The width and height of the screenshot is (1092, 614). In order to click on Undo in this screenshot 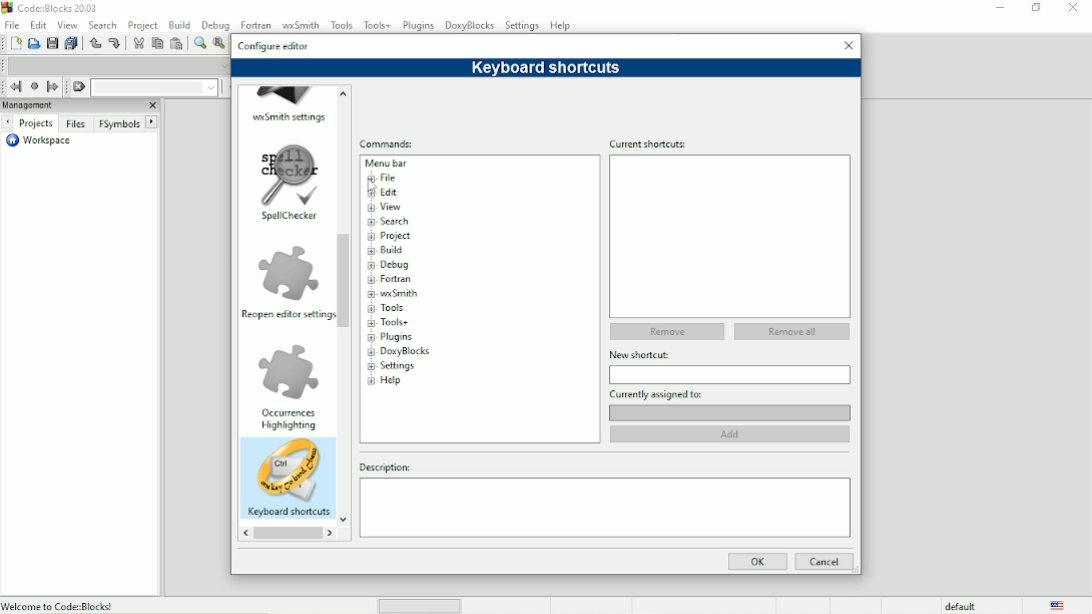, I will do `click(94, 43)`.